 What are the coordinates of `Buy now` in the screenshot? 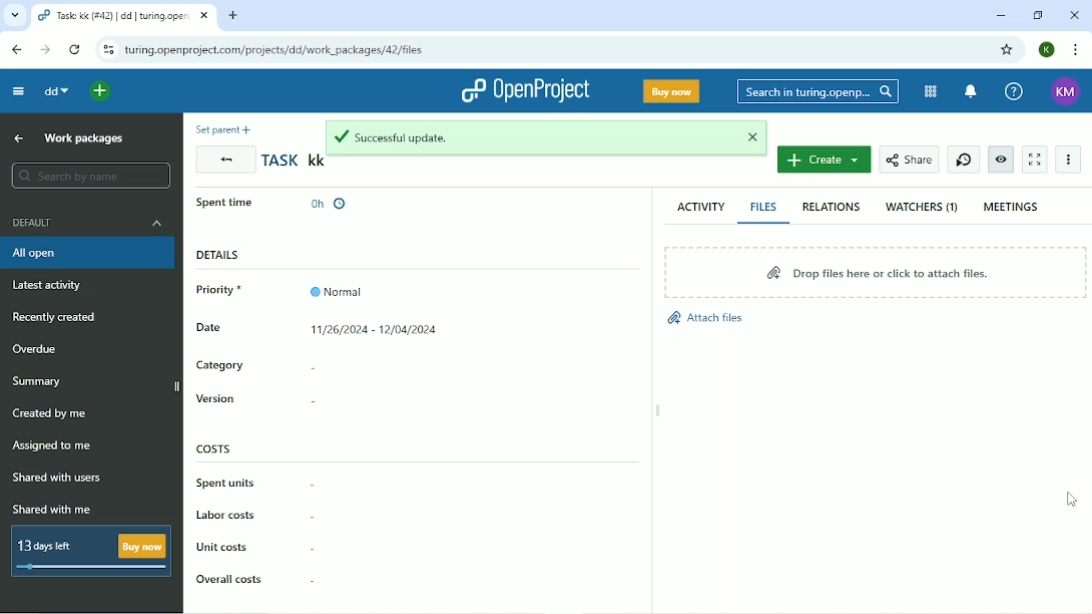 It's located at (671, 91).